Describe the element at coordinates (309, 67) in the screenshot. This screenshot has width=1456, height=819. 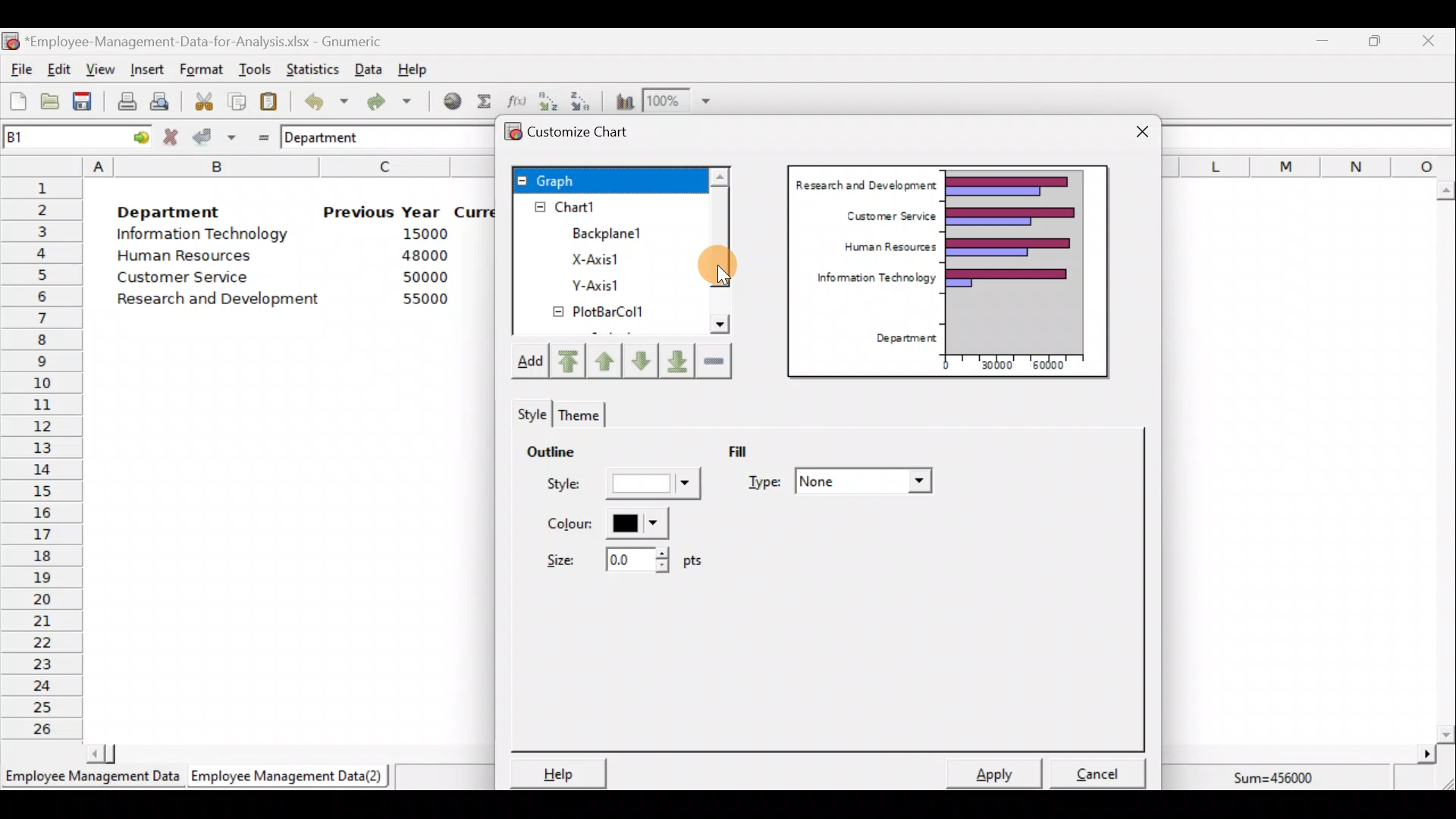
I see `Statistics` at that location.